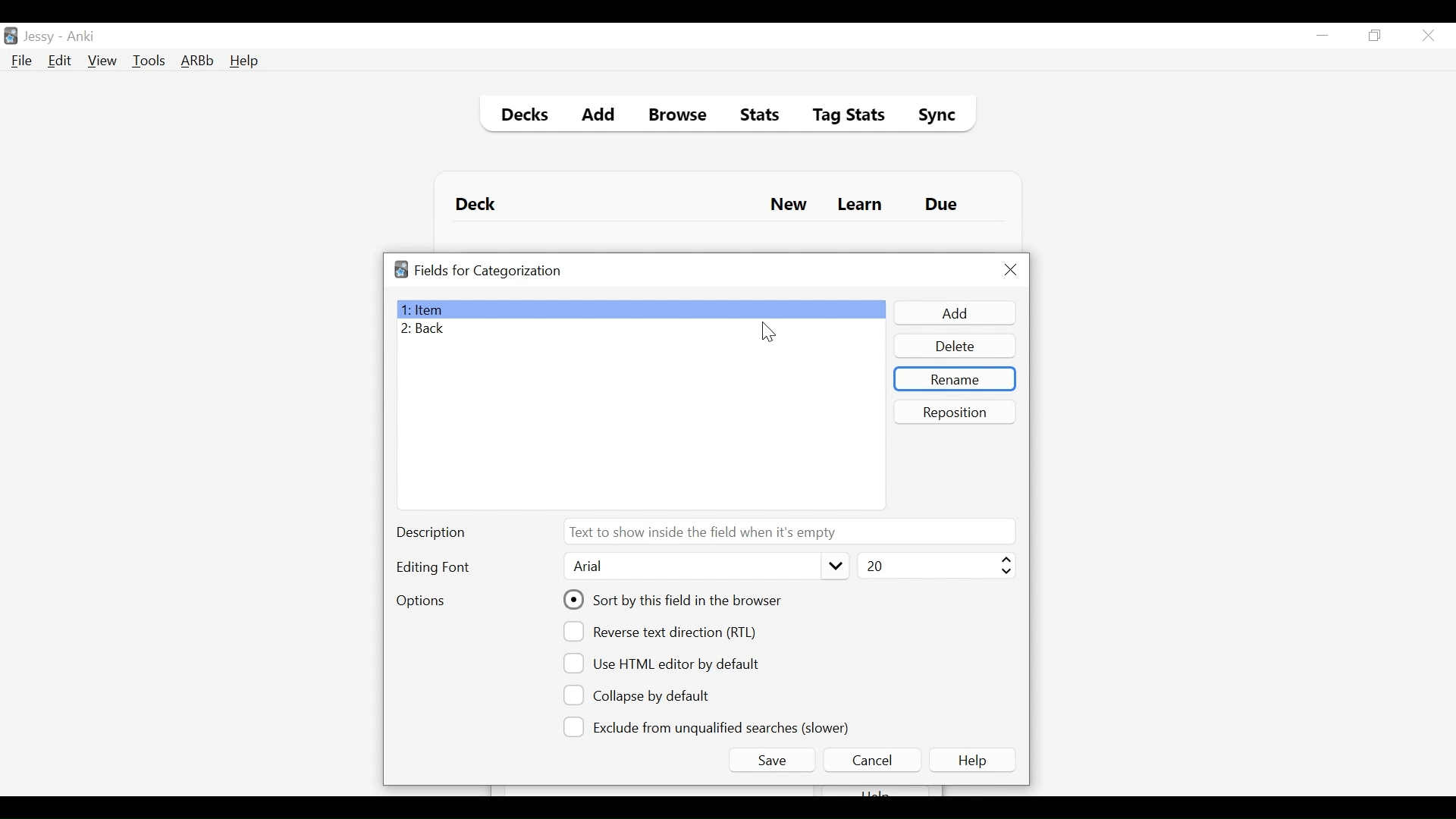  What do you see at coordinates (788, 531) in the screenshot?
I see `Text to Show inside the field when empty` at bounding box center [788, 531].